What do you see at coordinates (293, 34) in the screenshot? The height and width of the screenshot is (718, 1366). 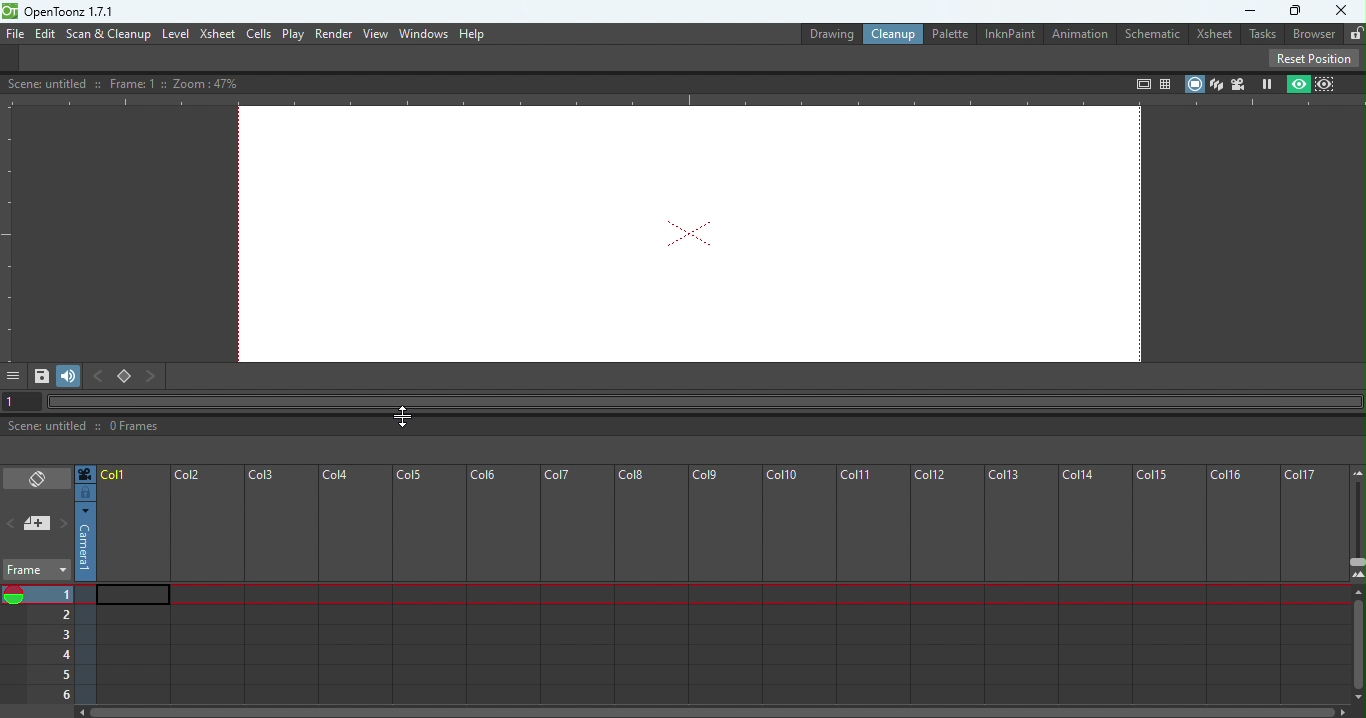 I see `Play` at bounding box center [293, 34].